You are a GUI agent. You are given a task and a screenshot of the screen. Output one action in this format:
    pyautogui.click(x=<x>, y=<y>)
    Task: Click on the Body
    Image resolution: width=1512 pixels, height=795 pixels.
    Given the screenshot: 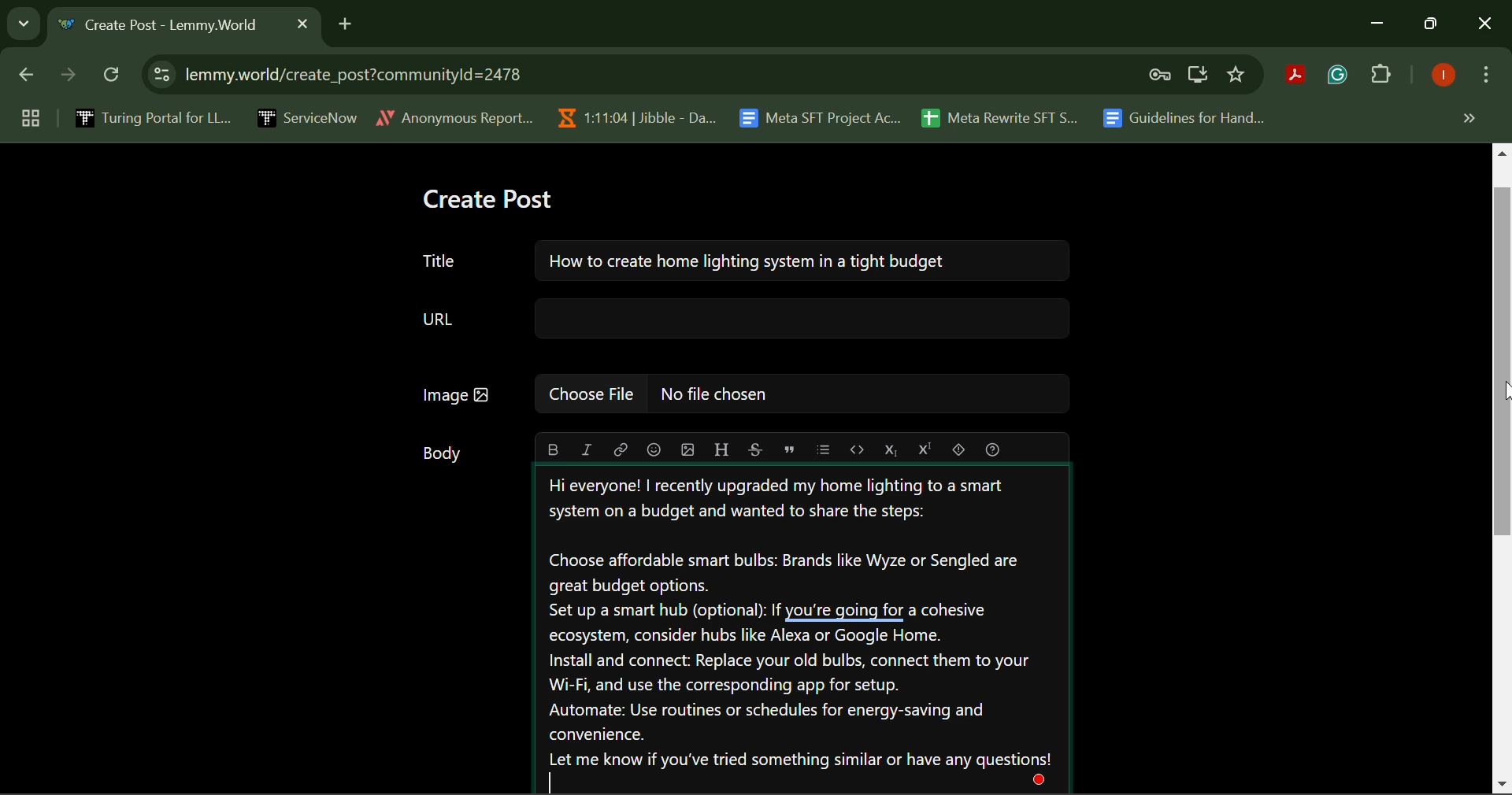 What is the action you would take?
    pyautogui.click(x=443, y=457)
    